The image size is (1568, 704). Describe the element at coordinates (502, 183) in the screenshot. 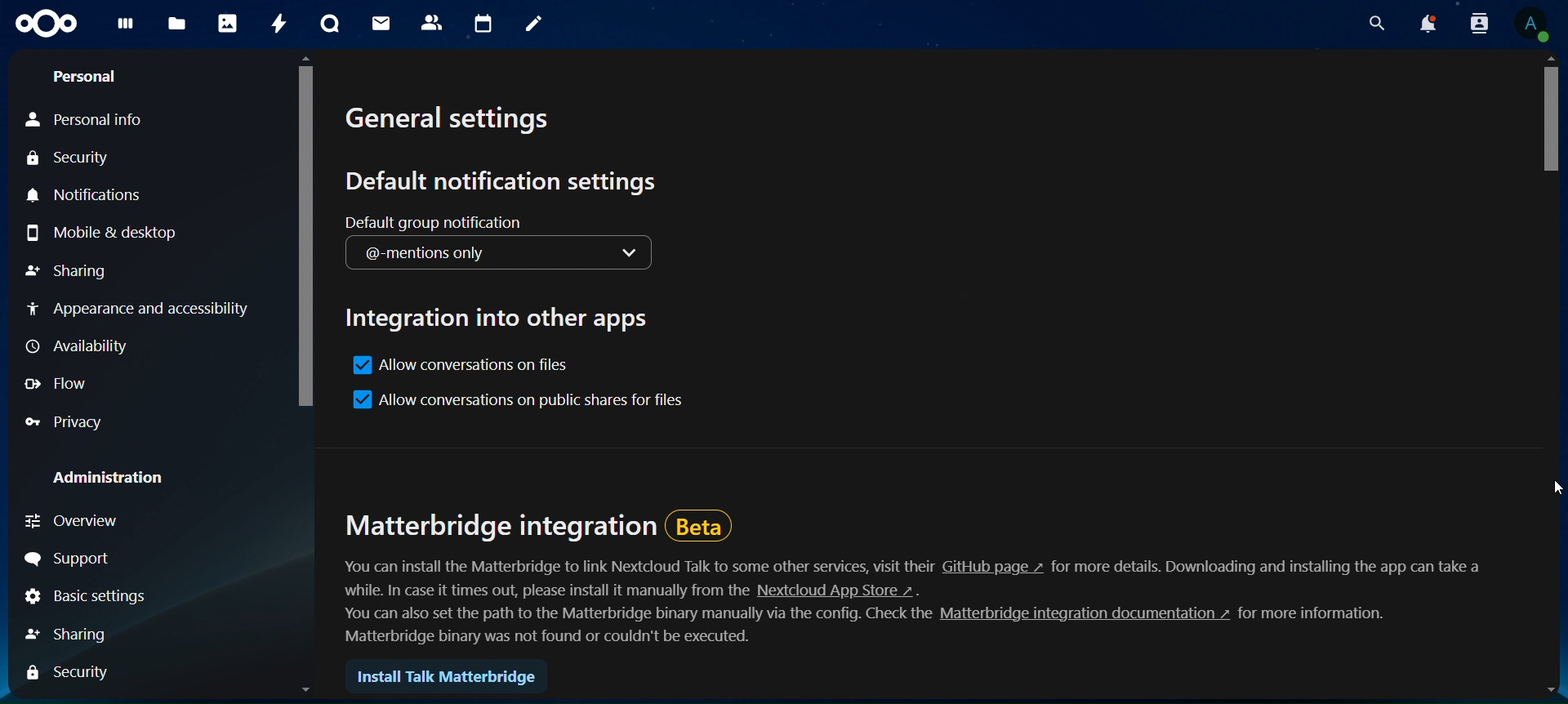

I see `default notification settings` at that location.